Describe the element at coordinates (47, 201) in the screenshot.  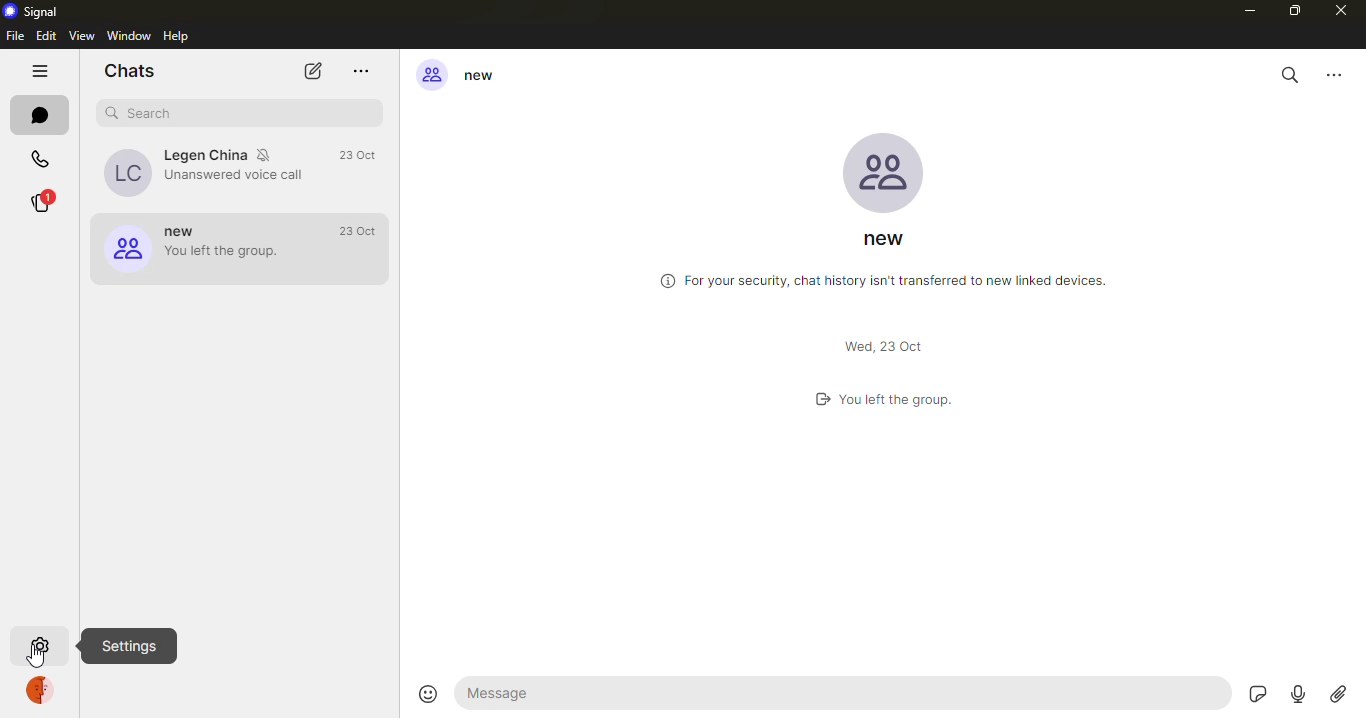
I see `stories` at that location.